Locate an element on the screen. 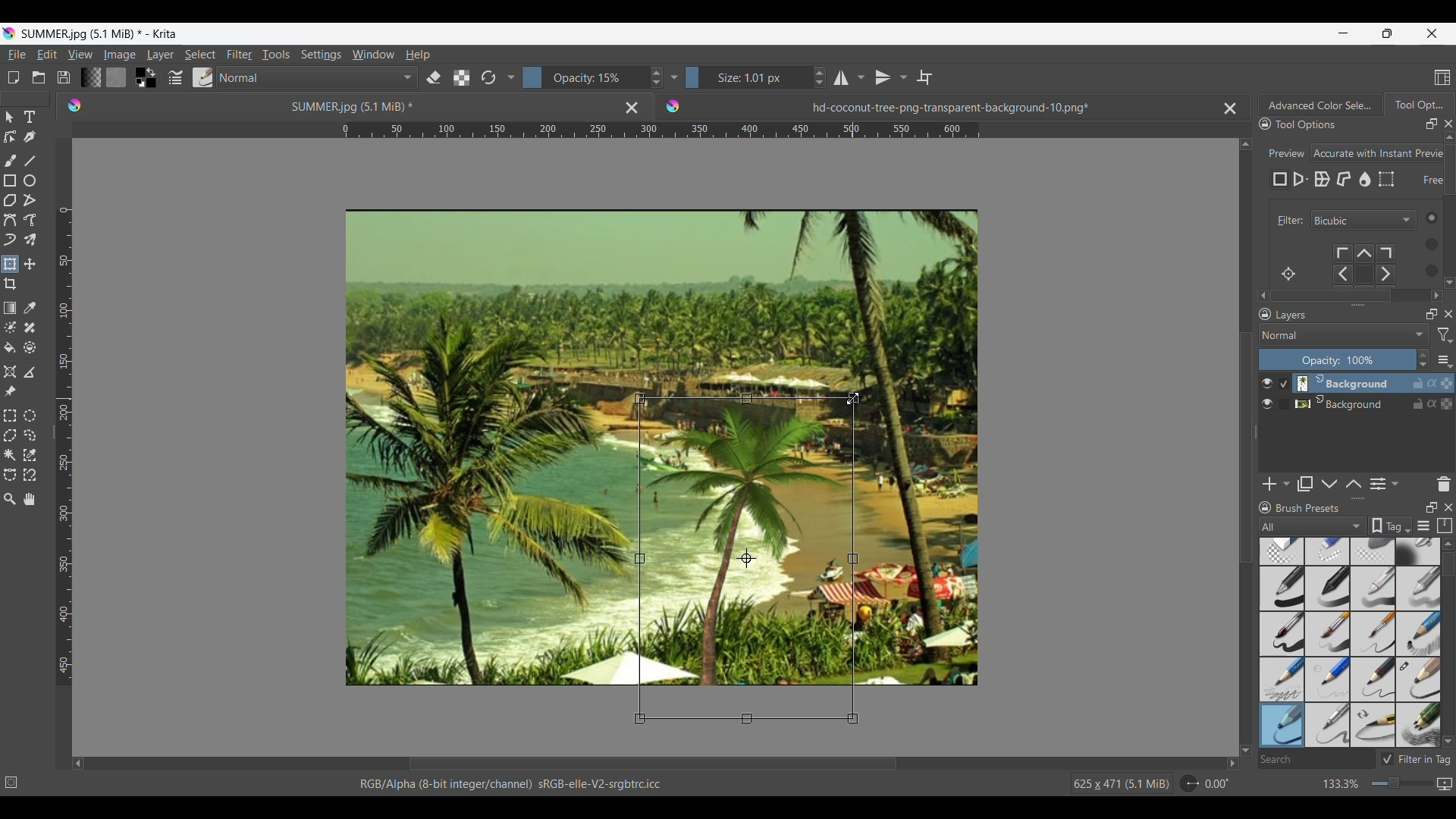  pencil 4 - soft is located at coordinates (1281, 724).